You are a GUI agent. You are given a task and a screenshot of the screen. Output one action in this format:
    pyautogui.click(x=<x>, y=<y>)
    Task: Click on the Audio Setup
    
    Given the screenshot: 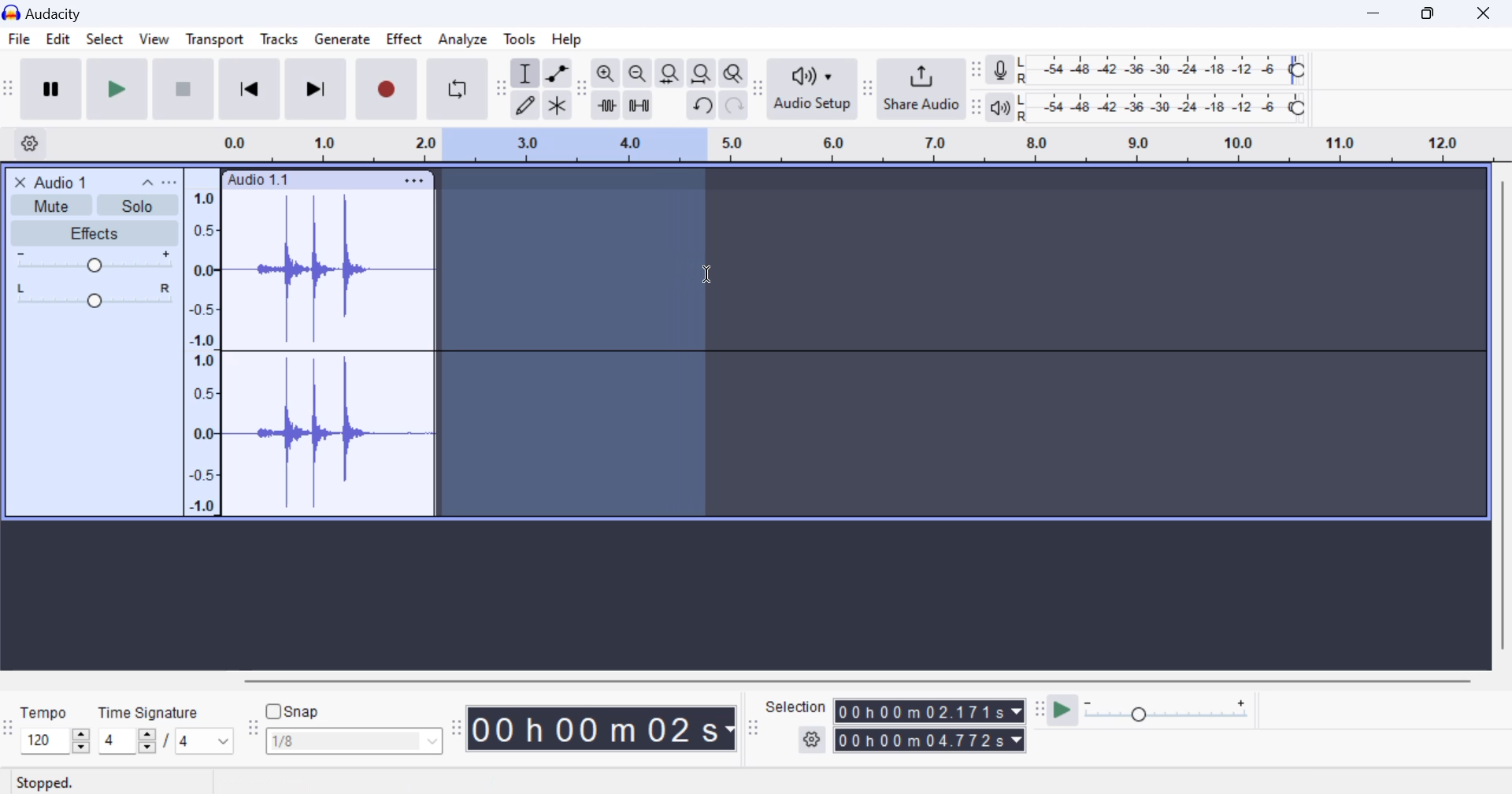 What is the action you would take?
    pyautogui.click(x=811, y=88)
    